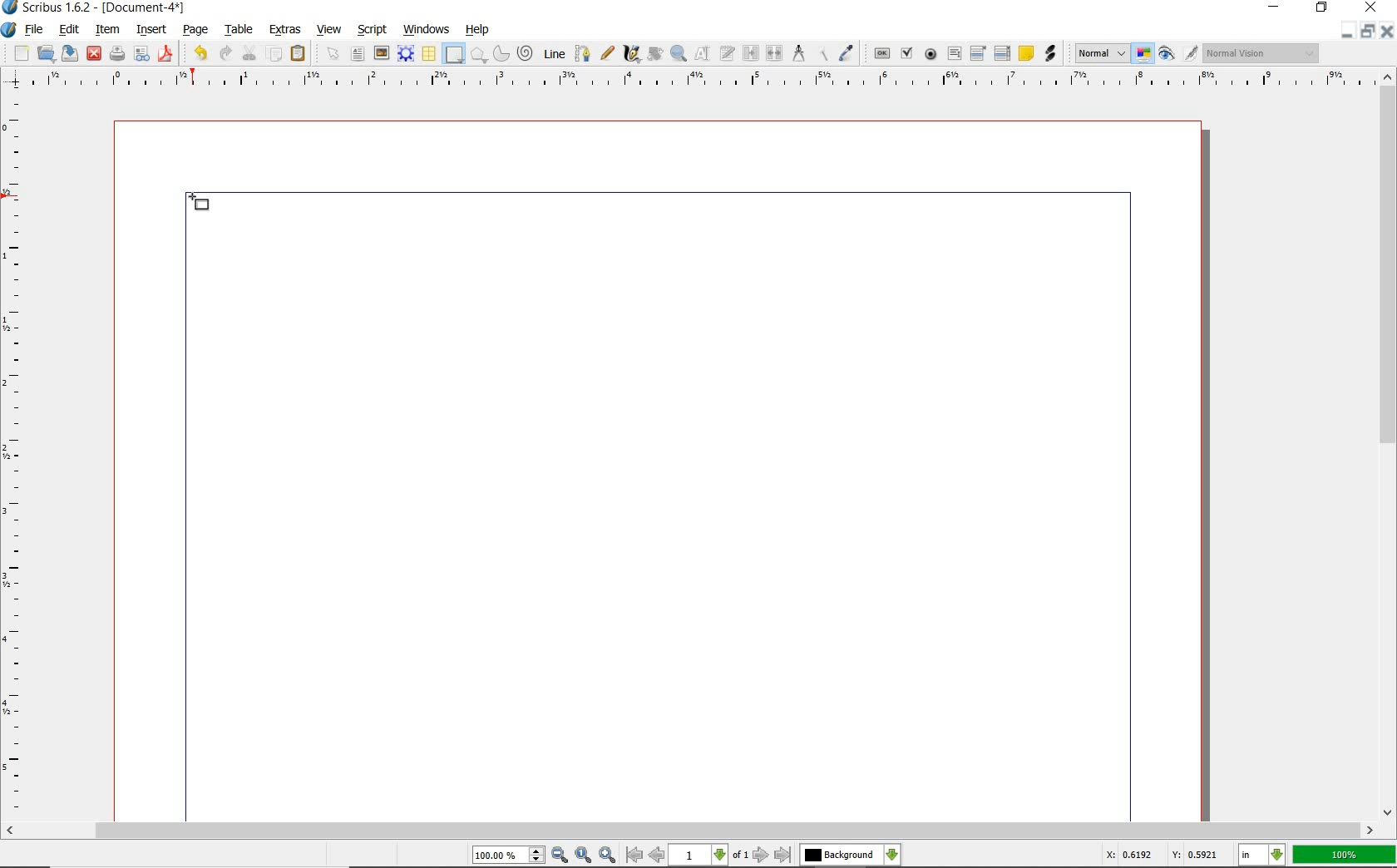 This screenshot has height=868, width=1397. I want to click on windows, so click(426, 29).